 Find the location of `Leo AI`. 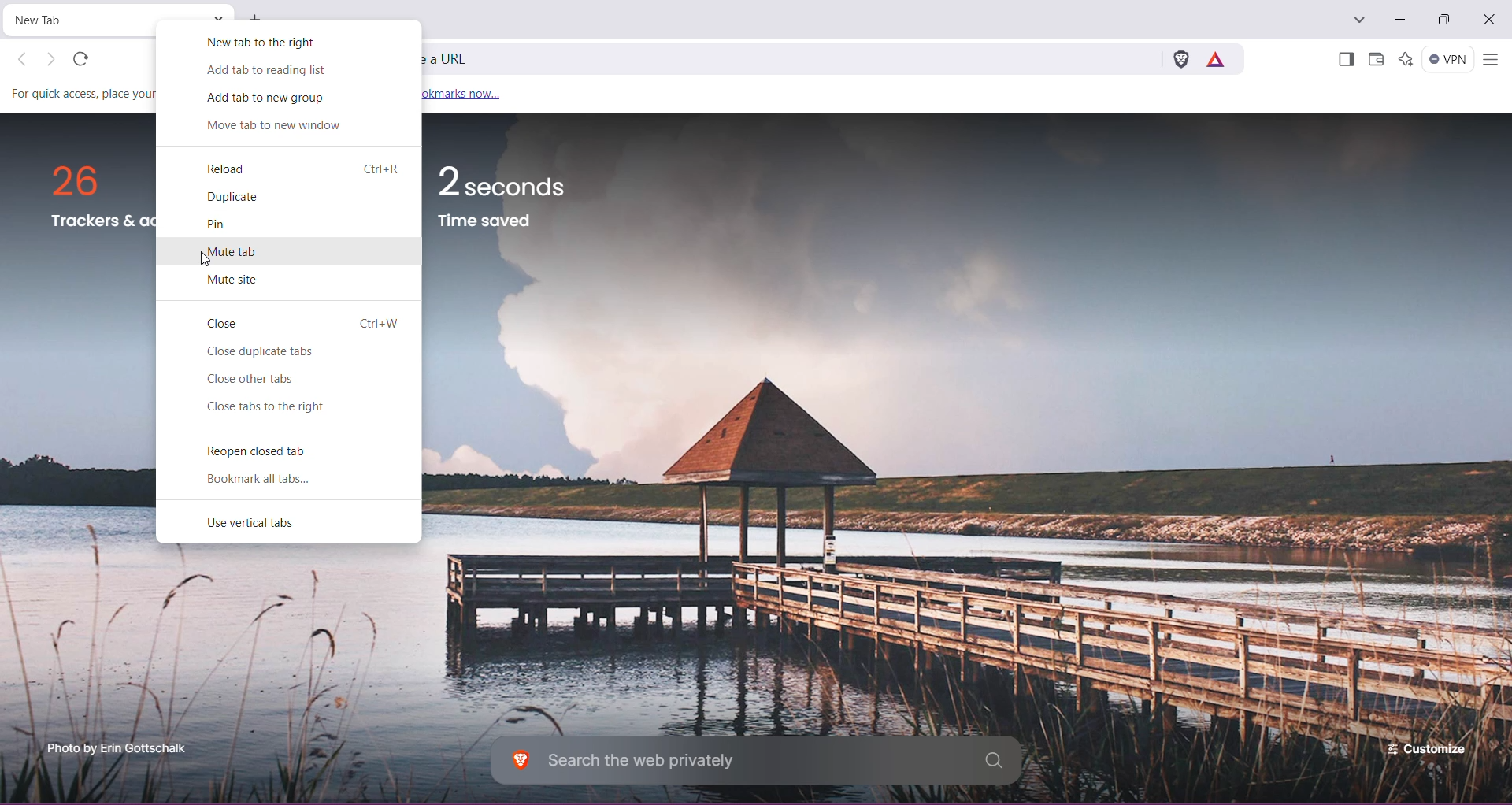

Leo AI is located at coordinates (1406, 60).